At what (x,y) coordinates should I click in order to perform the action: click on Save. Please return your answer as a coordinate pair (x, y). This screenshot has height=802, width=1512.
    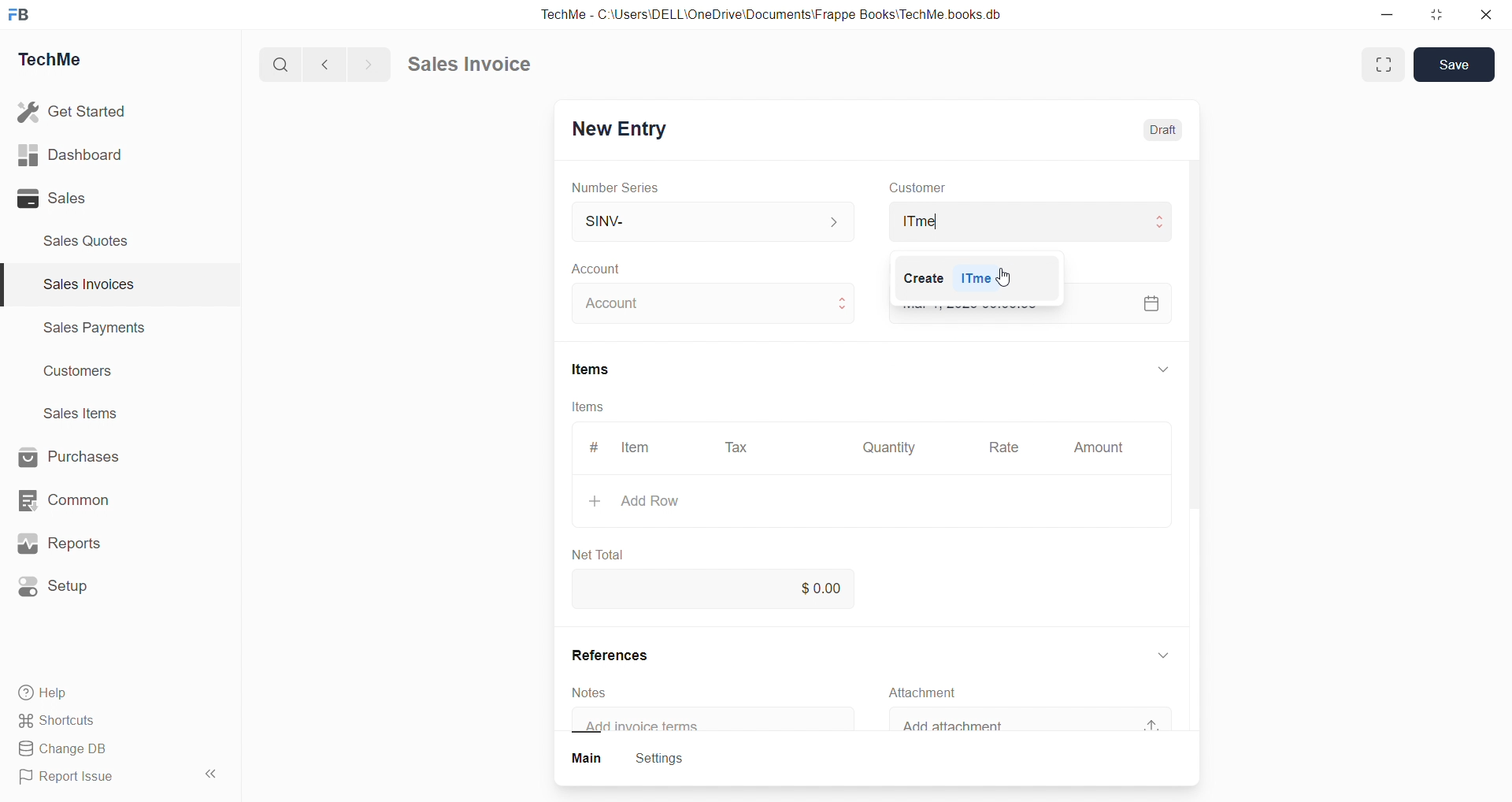
    Looking at the image, I should click on (1458, 64).